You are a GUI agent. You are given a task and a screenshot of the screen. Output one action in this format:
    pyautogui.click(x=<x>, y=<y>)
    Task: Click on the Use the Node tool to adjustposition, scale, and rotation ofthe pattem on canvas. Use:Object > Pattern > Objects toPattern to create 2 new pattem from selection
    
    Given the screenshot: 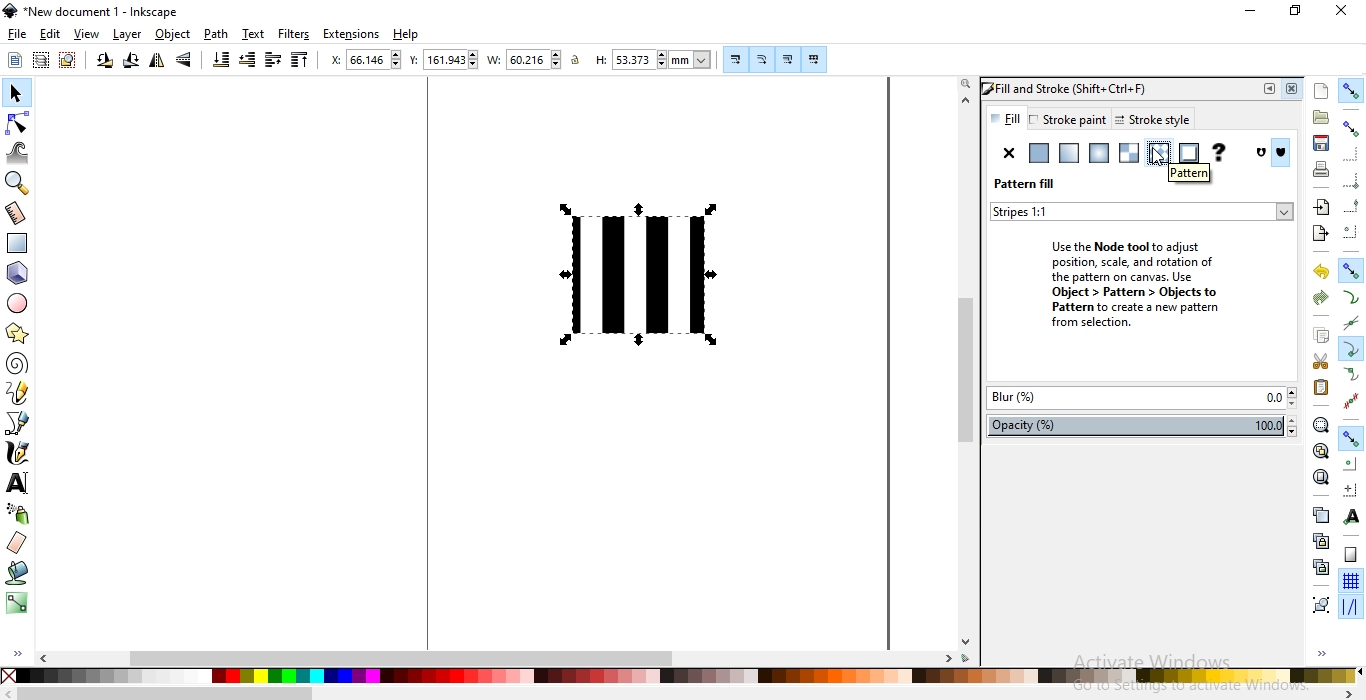 What is the action you would take?
    pyautogui.click(x=1119, y=281)
    